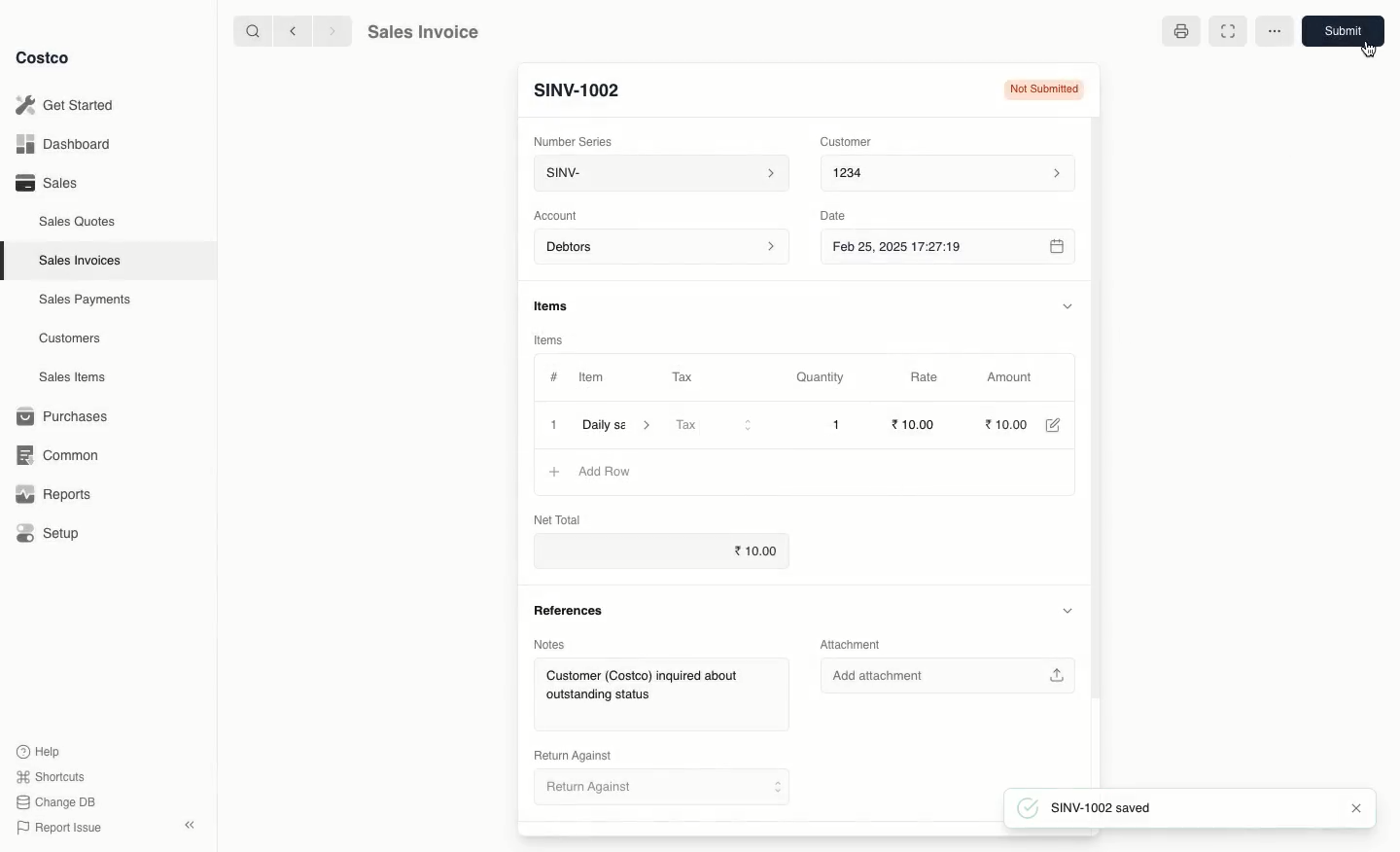 This screenshot has height=852, width=1400. I want to click on 1 Purchases, so click(67, 417).